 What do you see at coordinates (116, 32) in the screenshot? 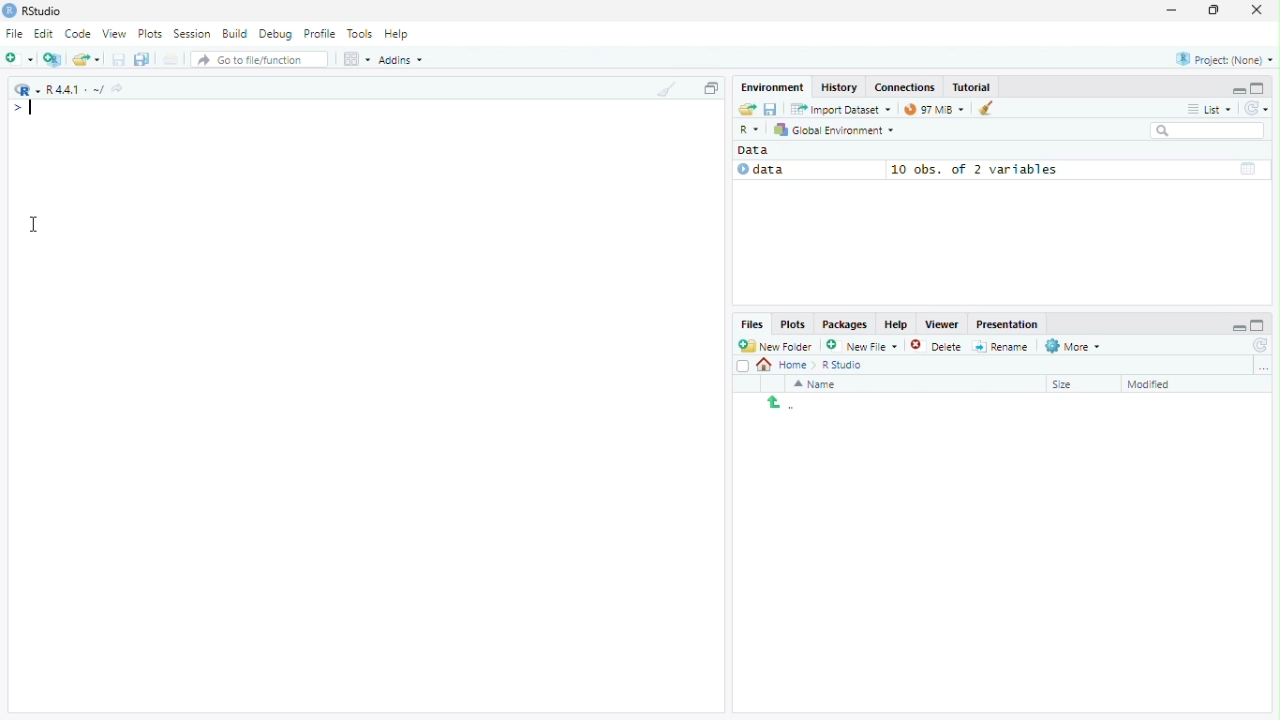
I see `View` at bounding box center [116, 32].